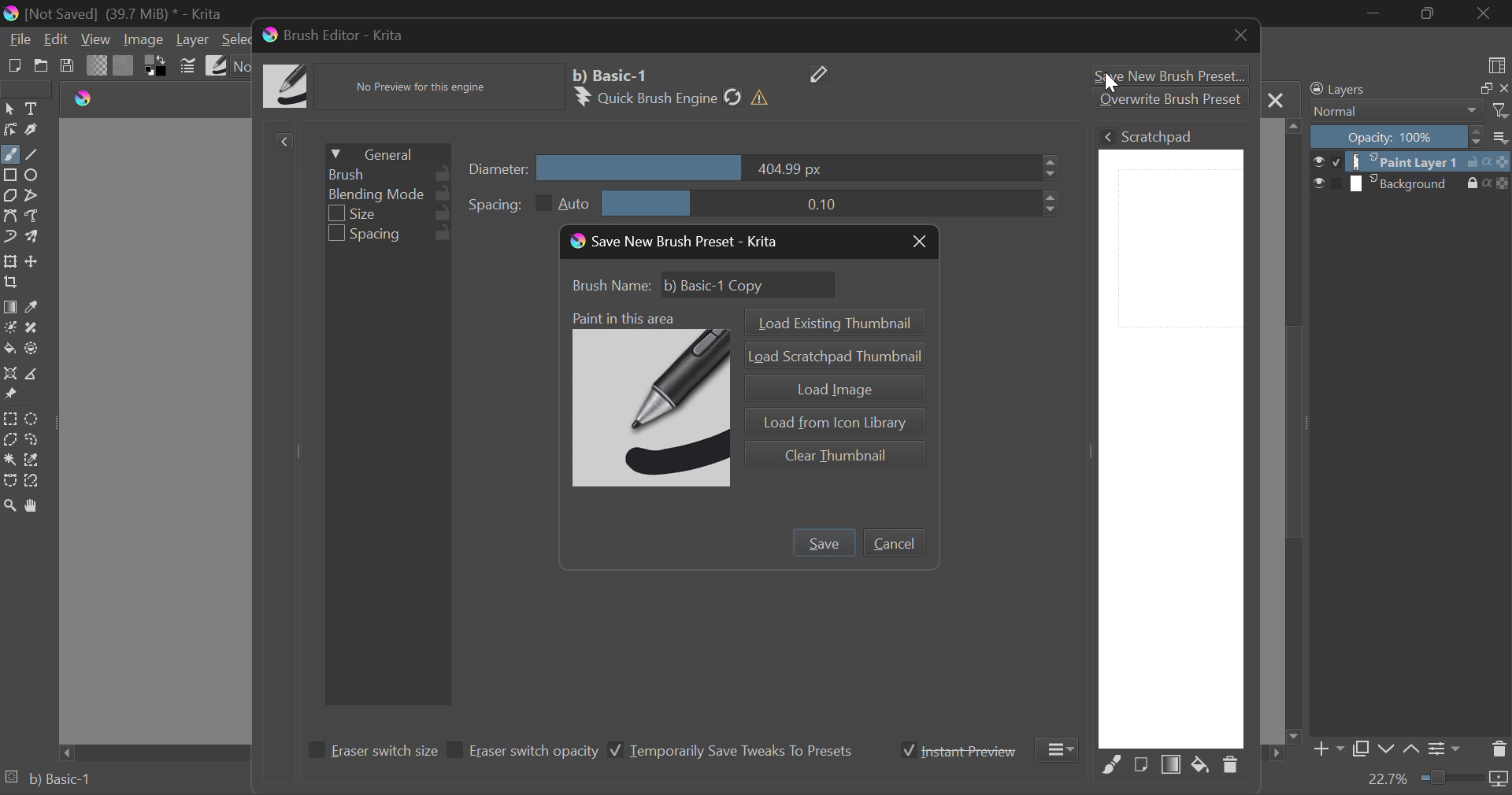 This screenshot has width=1512, height=795. What do you see at coordinates (9, 505) in the screenshot?
I see `Zoom` at bounding box center [9, 505].